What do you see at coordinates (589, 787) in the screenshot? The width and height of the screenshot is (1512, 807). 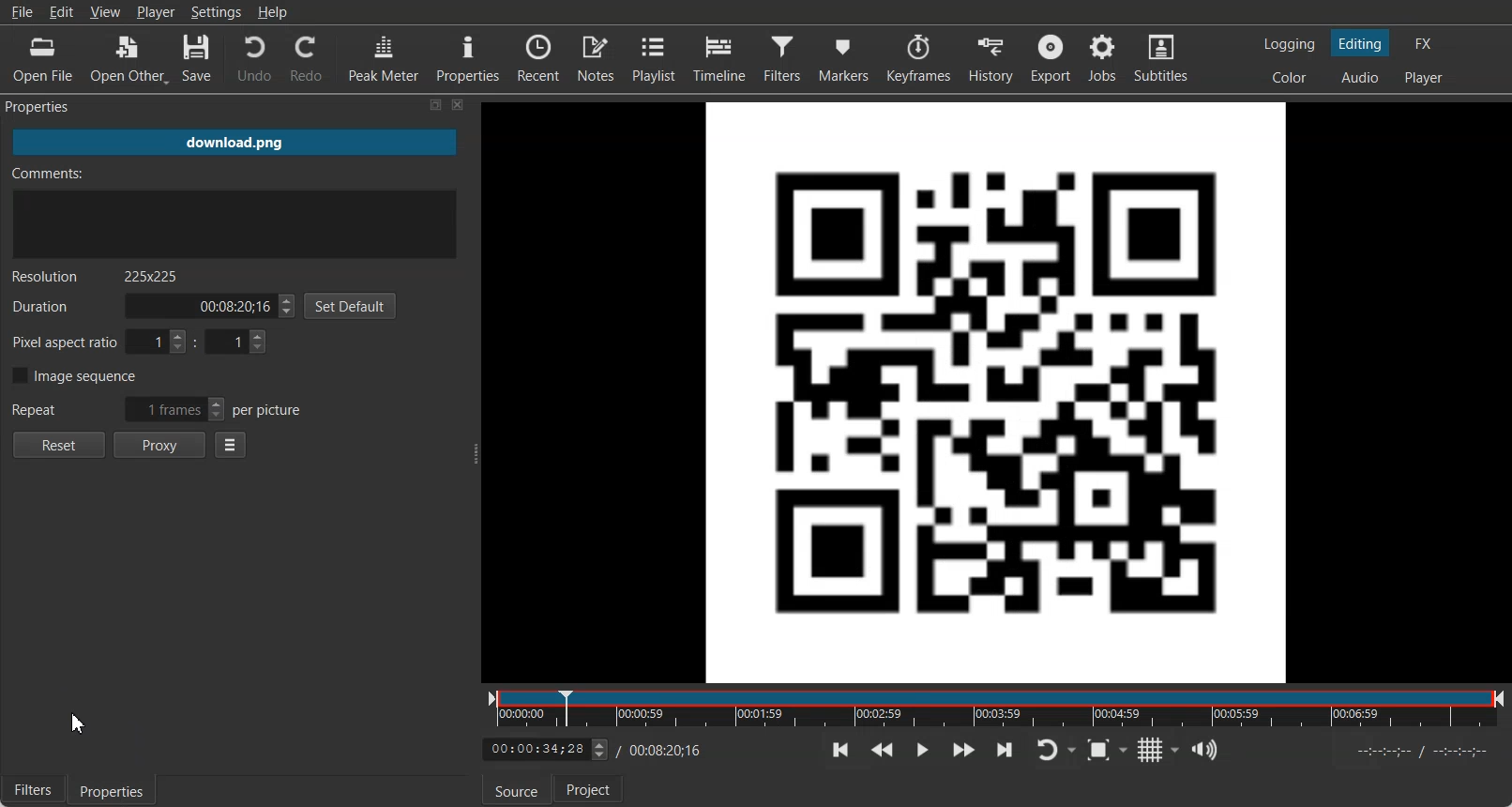 I see `Projects` at bounding box center [589, 787].